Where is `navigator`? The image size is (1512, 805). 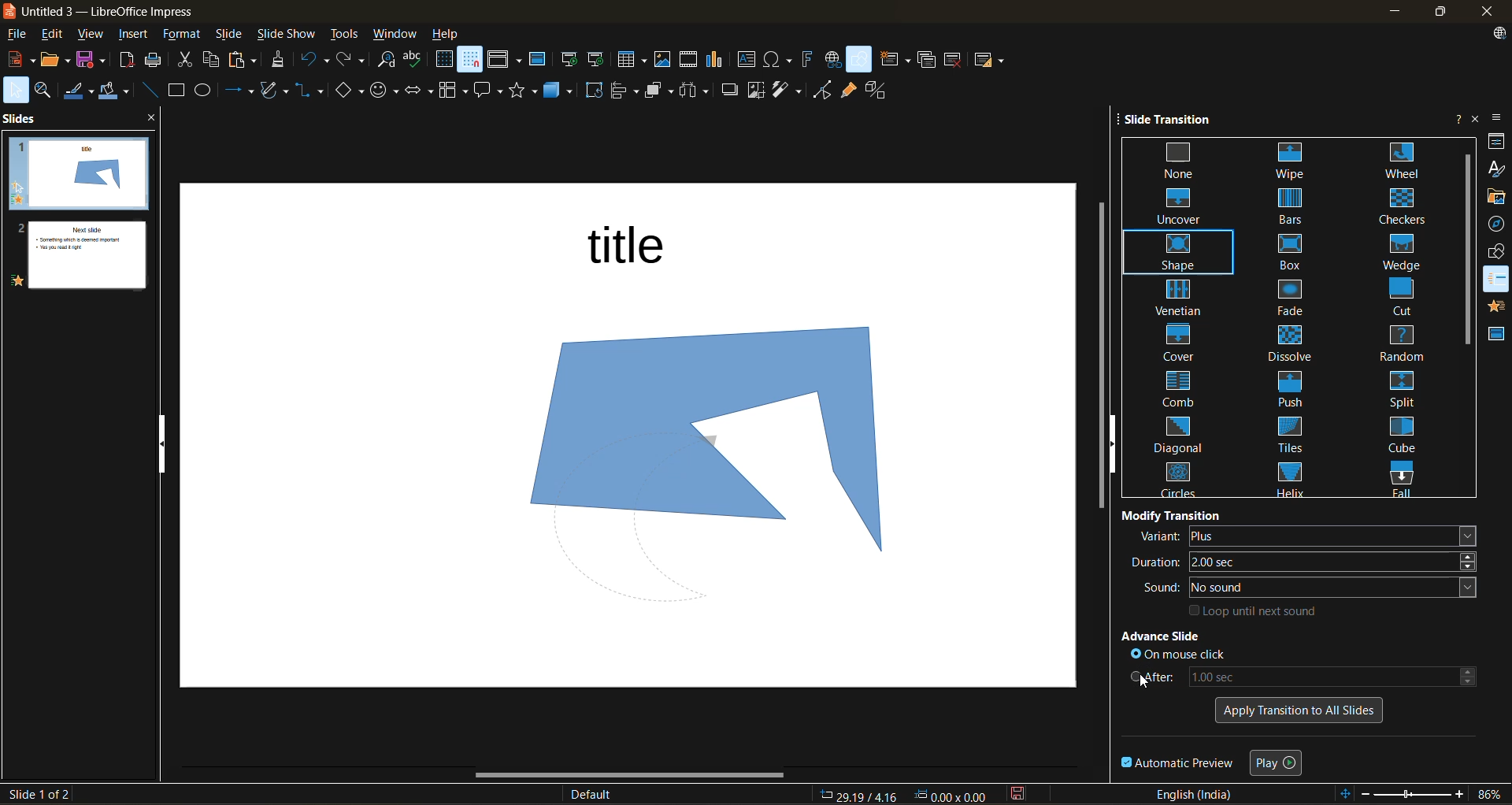 navigator is located at coordinates (1496, 225).